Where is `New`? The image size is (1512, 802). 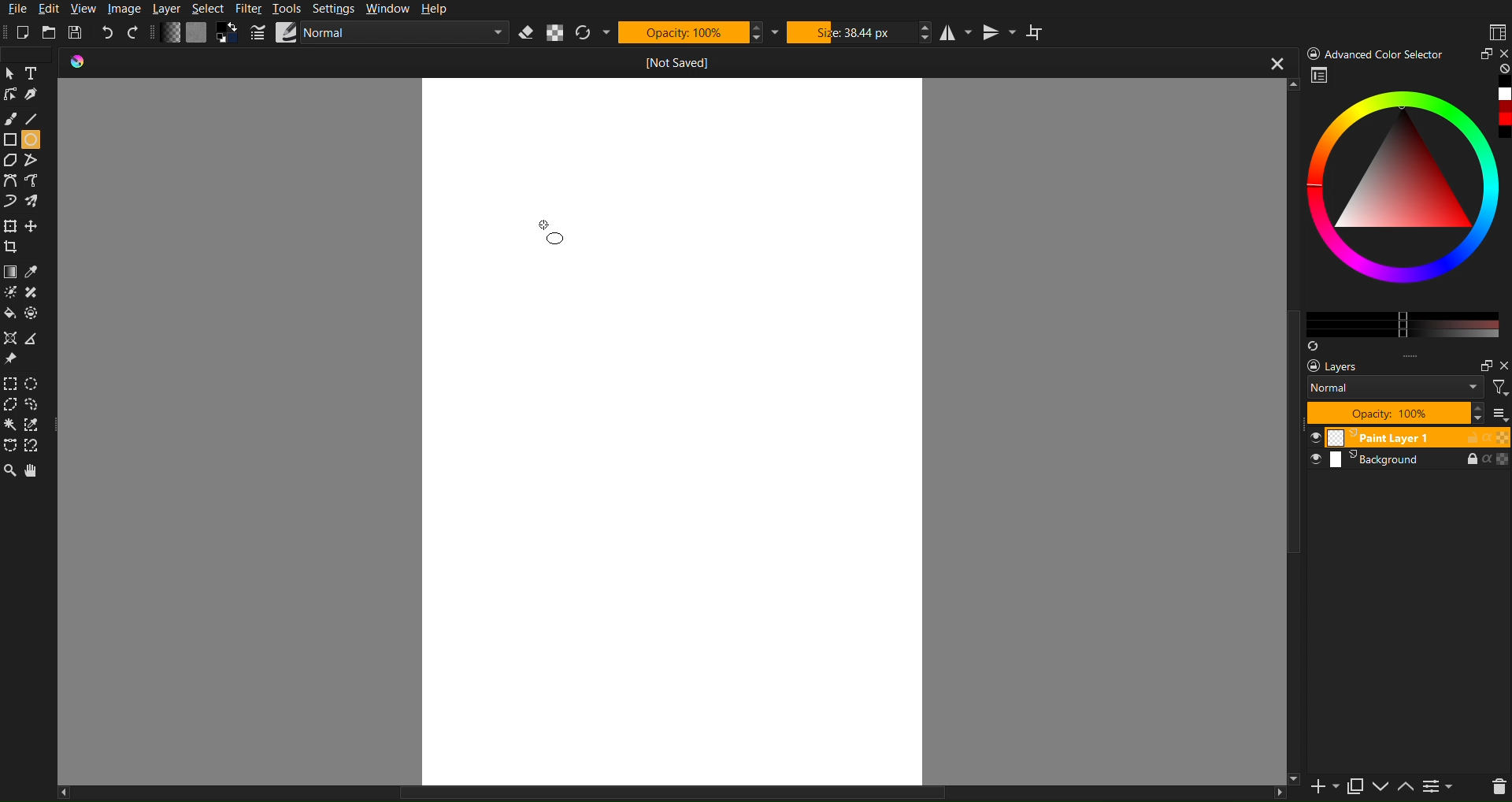
New is located at coordinates (31, 31).